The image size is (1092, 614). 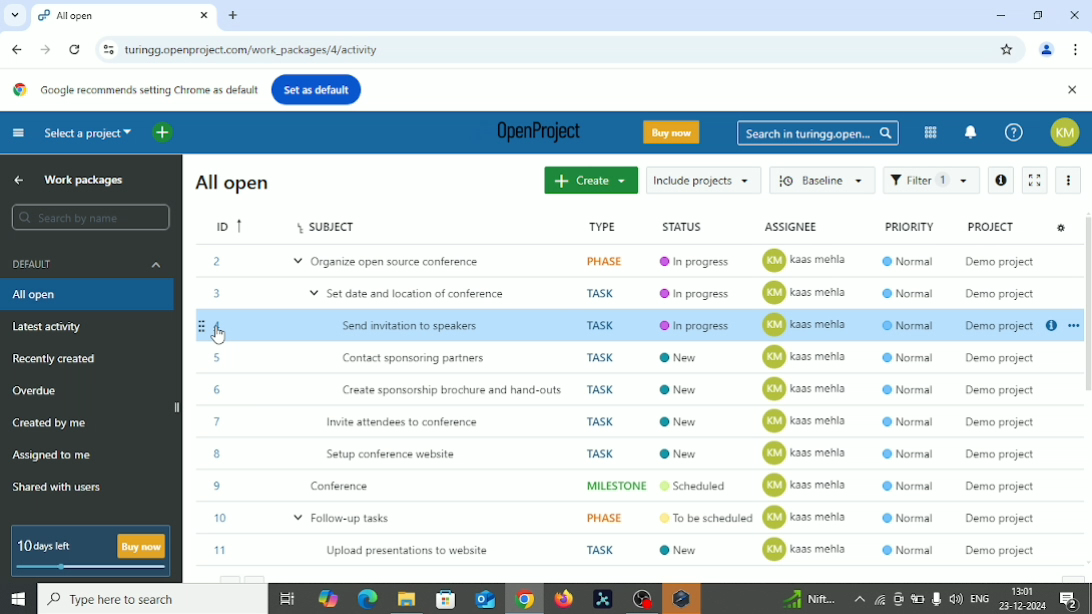 I want to click on Conference, so click(x=635, y=485).